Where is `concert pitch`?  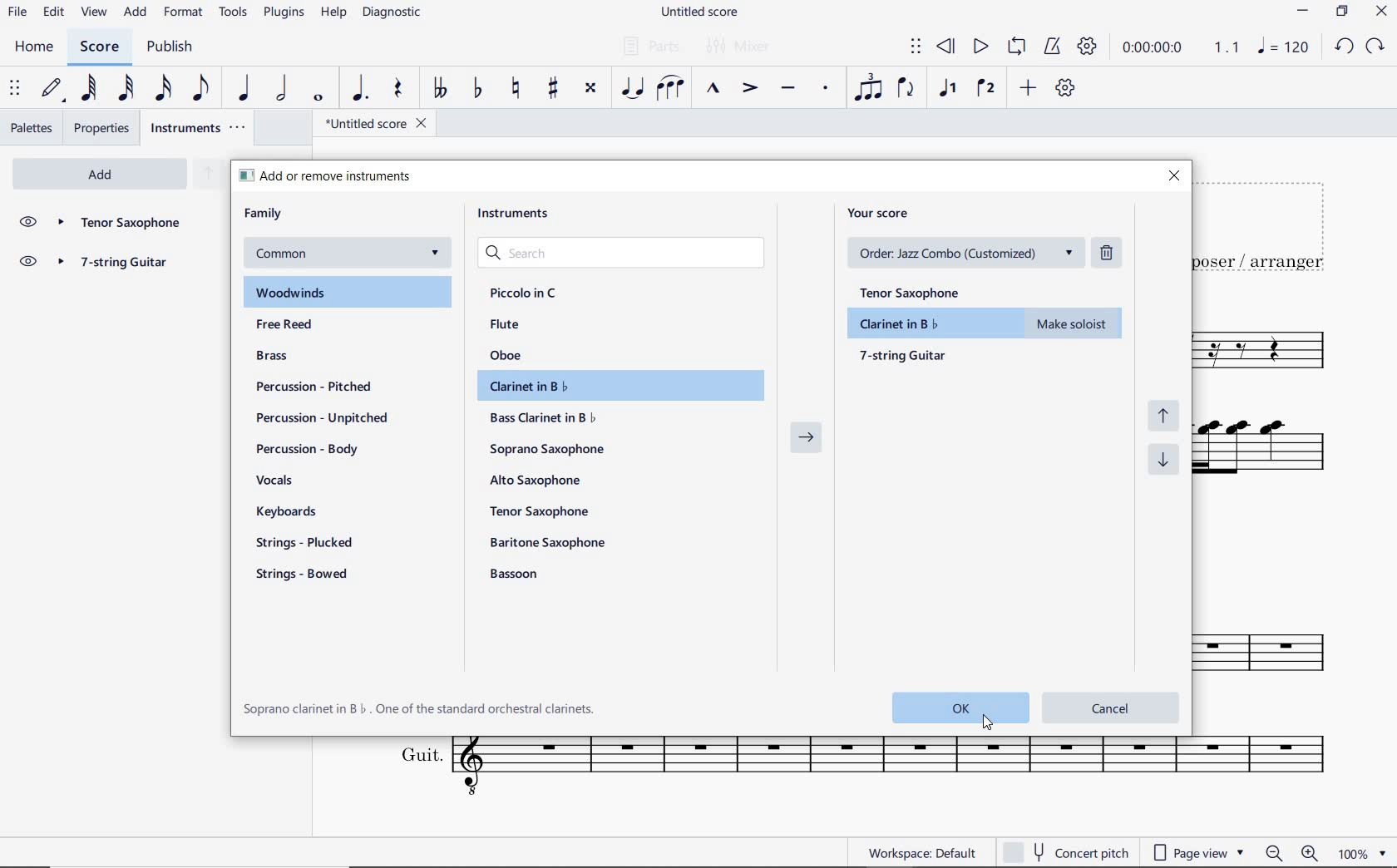 concert pitch is located at coordinates (1065, 852).